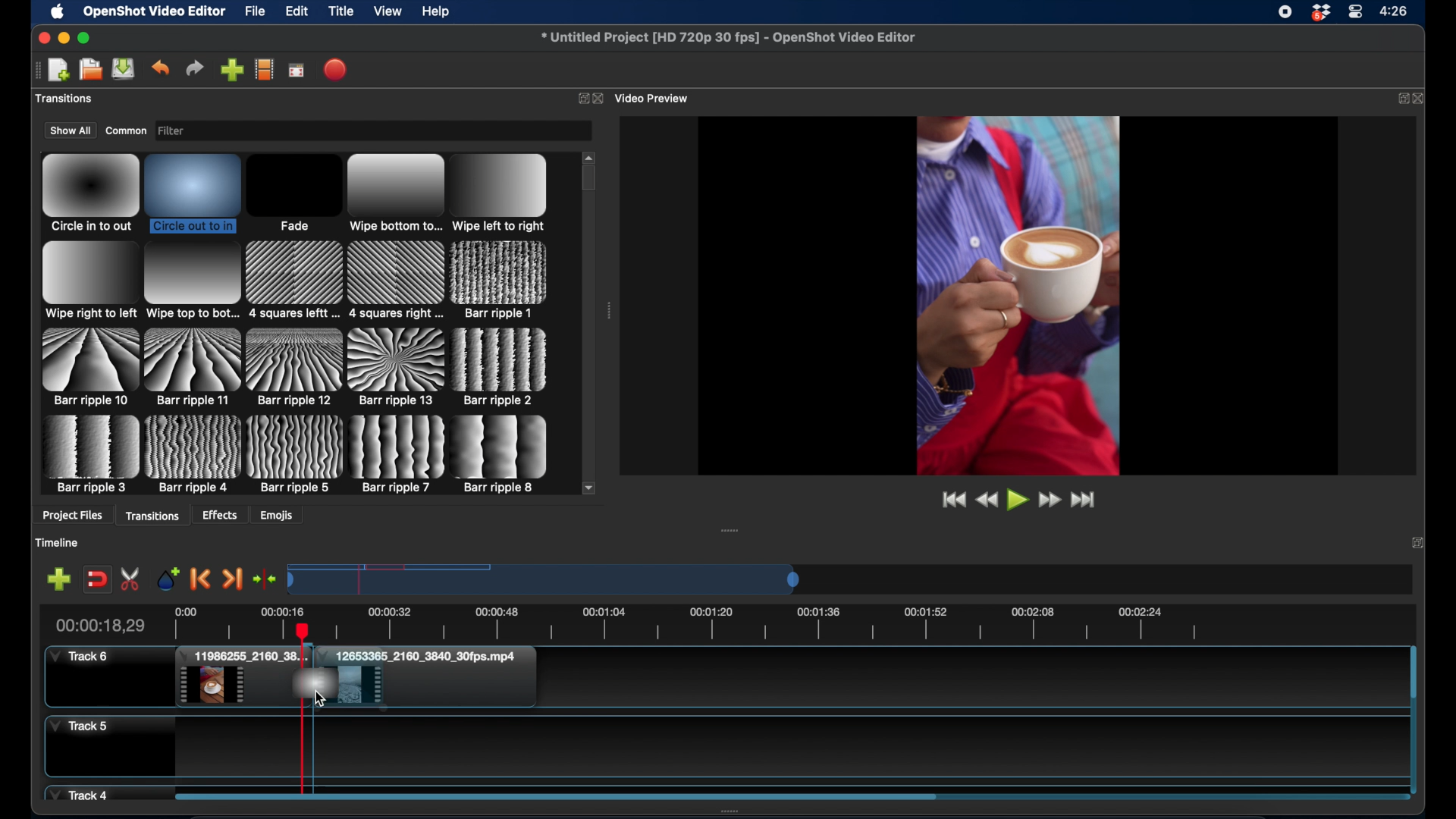 This screenshot has width=1456, height=819. What do you see at coordinates (89, 70) in the screenshot?
I see `open project` at bounding box center [89, 70].